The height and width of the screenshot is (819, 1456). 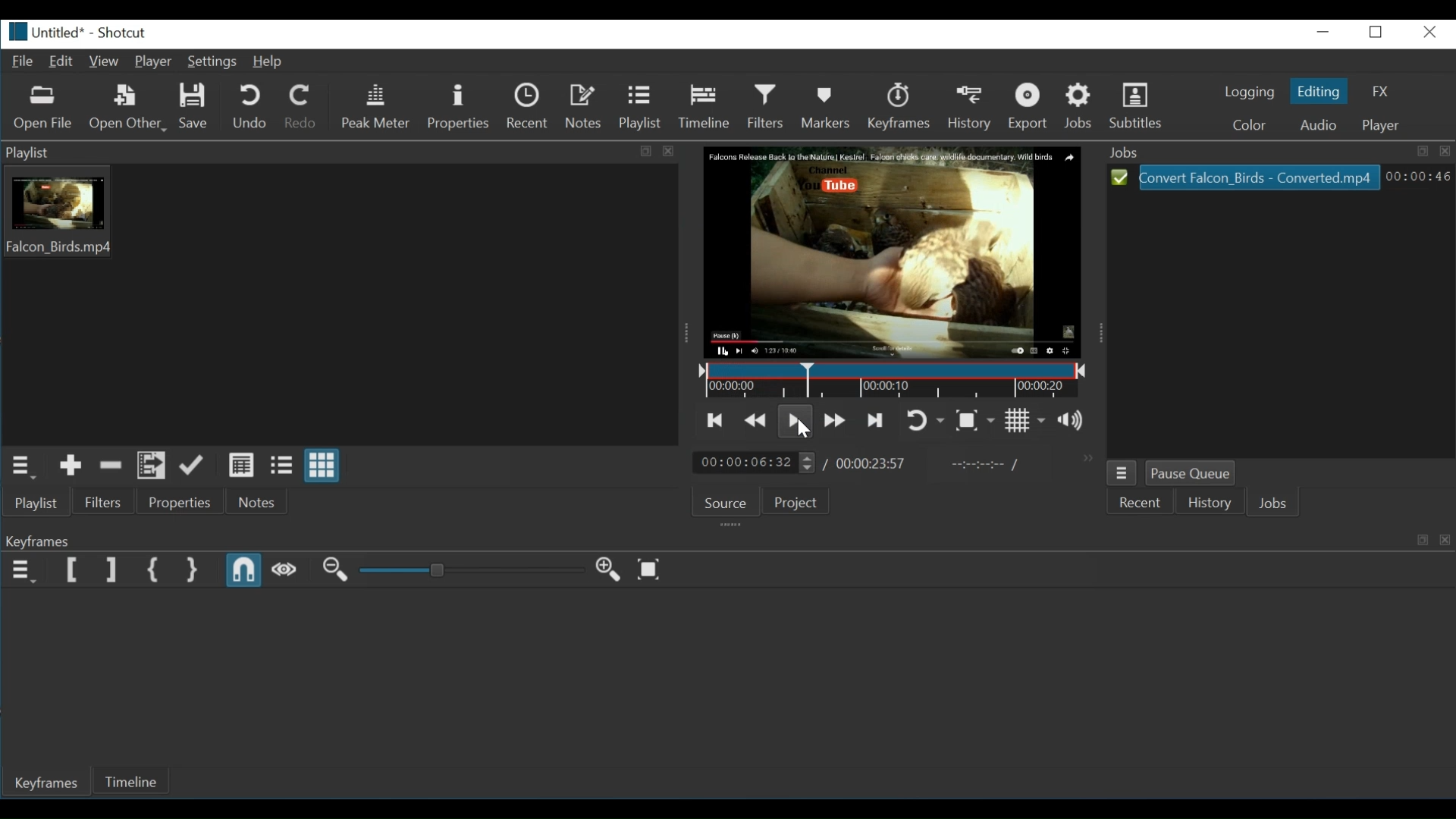 What do you see at coordinates (1276, 505) in the screenshot?
I see `Jobs` at bounding box center [1276, 505].